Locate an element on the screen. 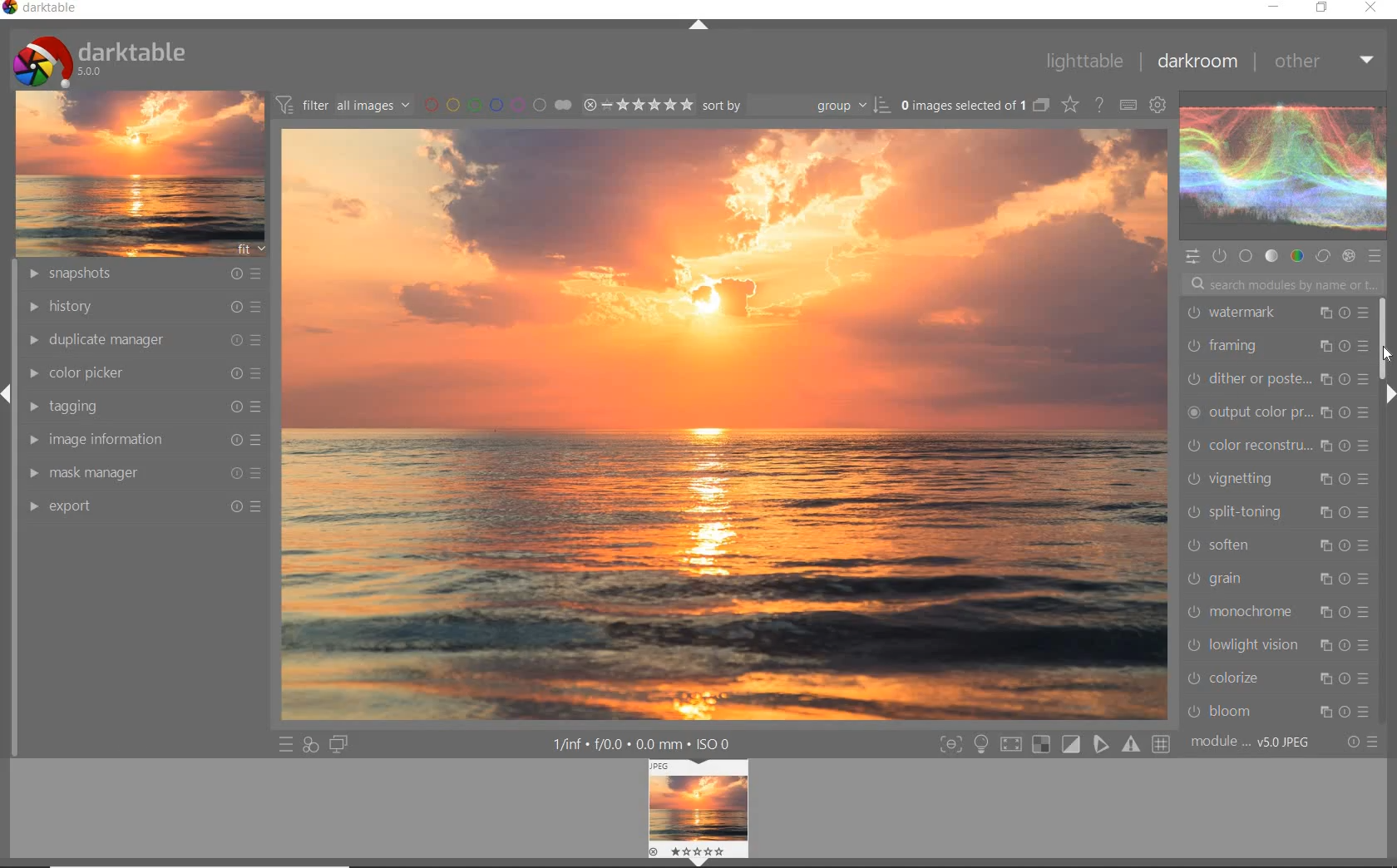 The width and height of the screenshot is (1397, 868). SELECTED IMAGE RANGE RATING is located at coordinates (639, 104).